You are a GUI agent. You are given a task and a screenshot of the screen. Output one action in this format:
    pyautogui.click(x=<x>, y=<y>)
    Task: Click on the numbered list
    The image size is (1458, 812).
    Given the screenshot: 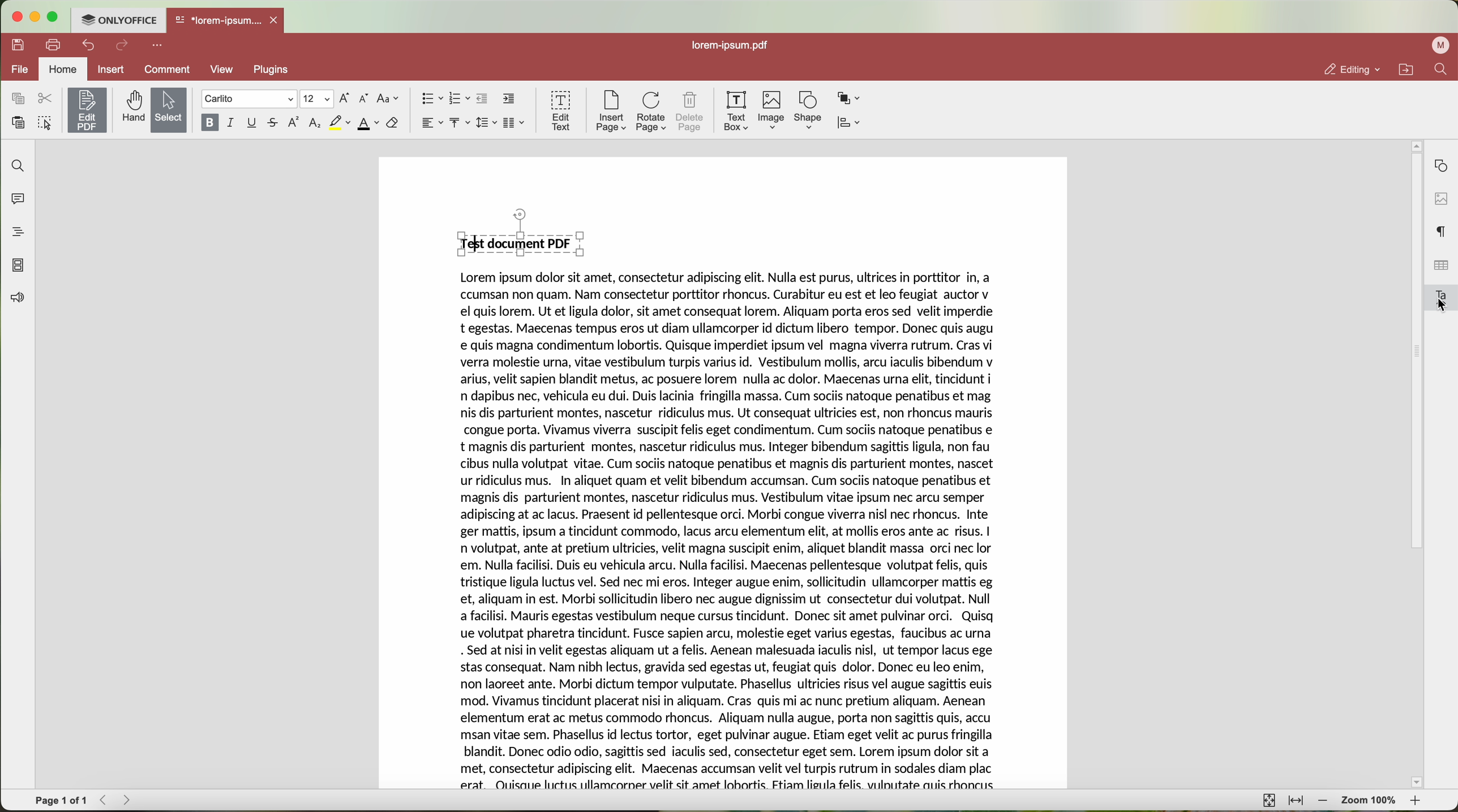 What is the action you would take?
    pyautogui.click(x=460, y=100)
    